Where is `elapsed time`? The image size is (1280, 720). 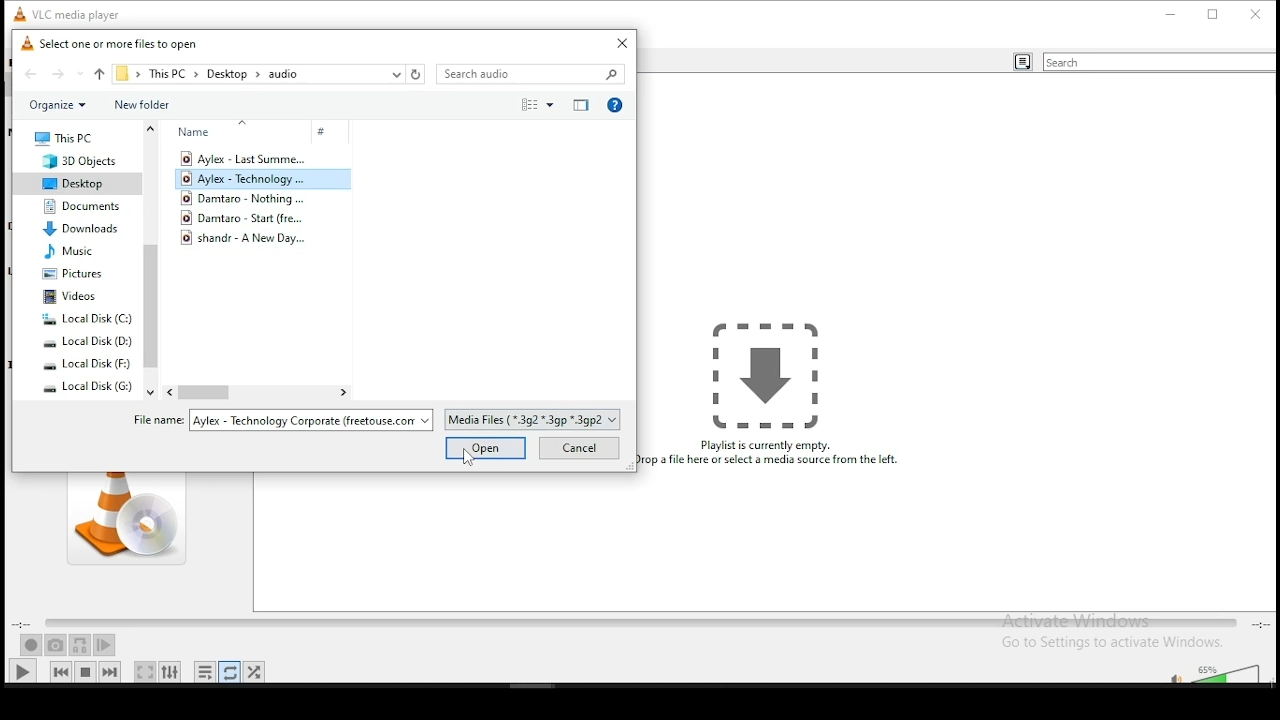
elapsed time is located at coordinates (23, 624).